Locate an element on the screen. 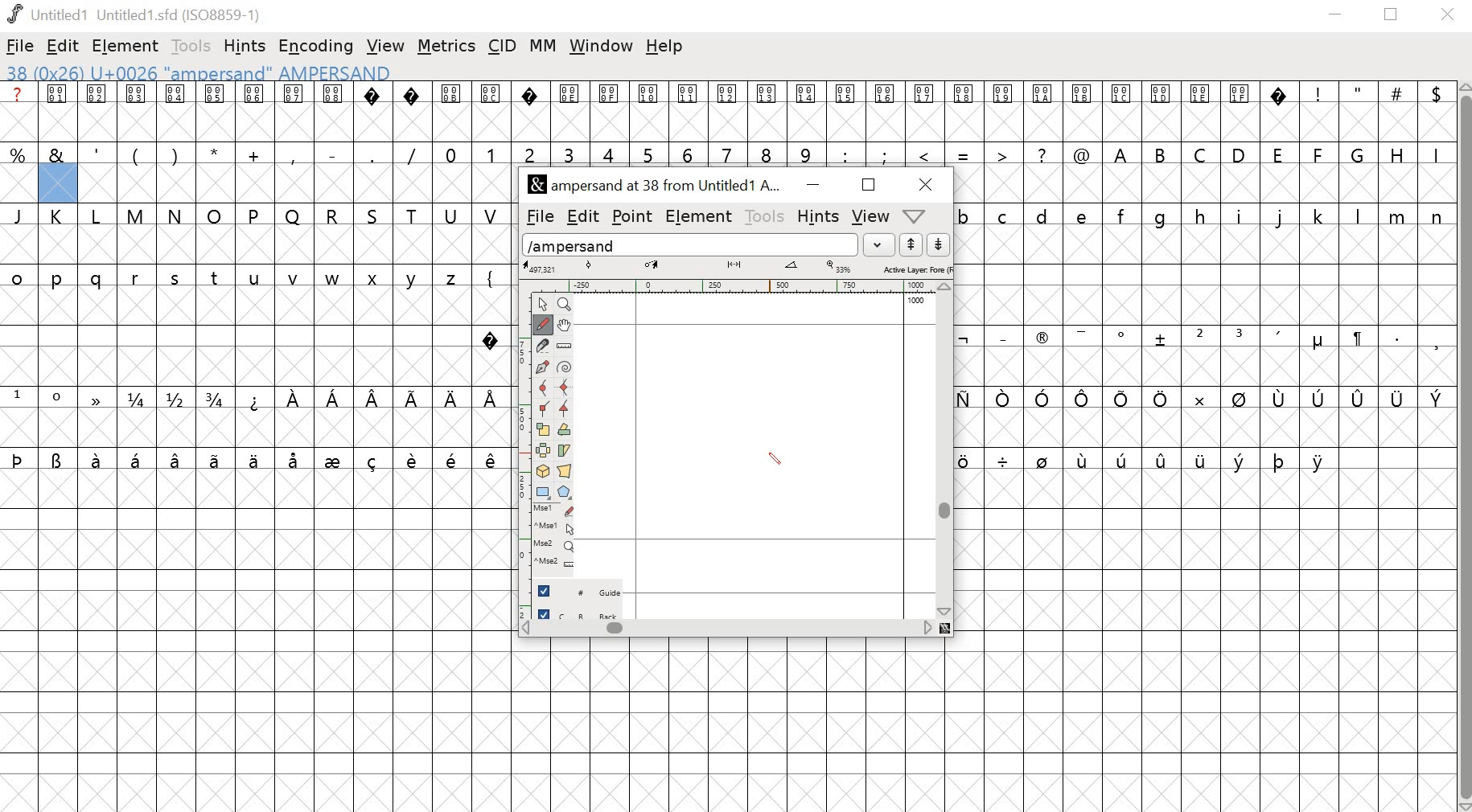  add a curve point always either vertically or horizontally is located at coordinates (566, 388).